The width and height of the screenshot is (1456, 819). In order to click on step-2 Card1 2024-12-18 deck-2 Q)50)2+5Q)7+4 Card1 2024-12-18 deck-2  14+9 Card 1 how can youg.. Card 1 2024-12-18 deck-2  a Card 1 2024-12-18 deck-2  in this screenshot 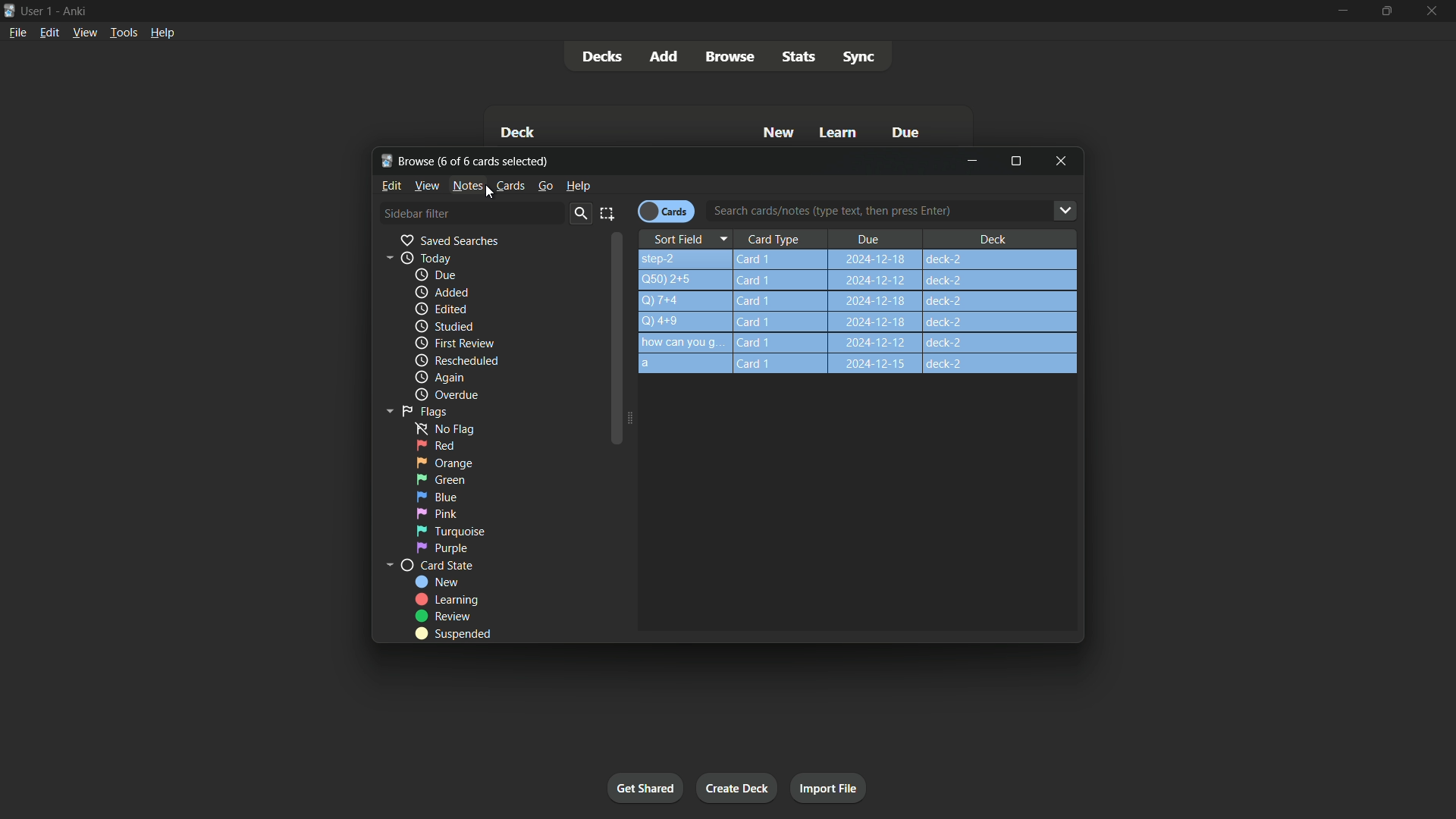, I will do `click(859, 311)`.